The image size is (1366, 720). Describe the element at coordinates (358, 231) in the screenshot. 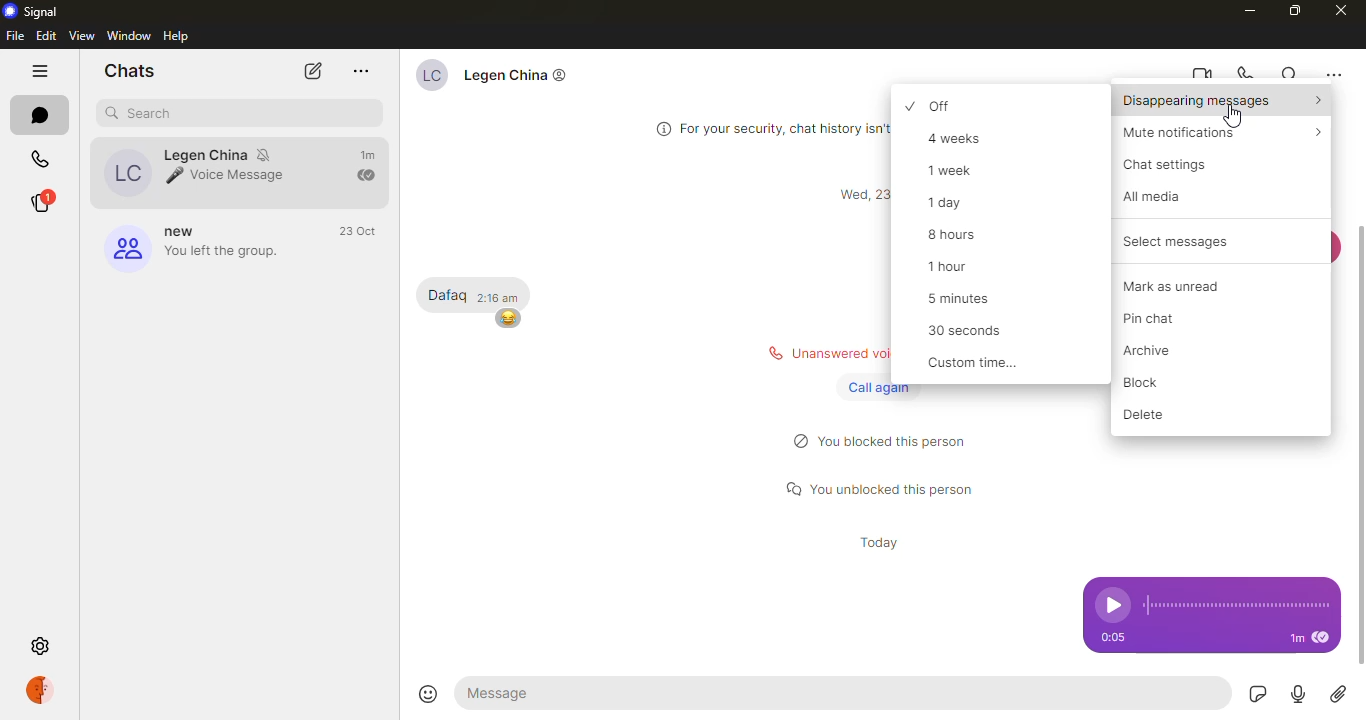

I see `time` at that location.